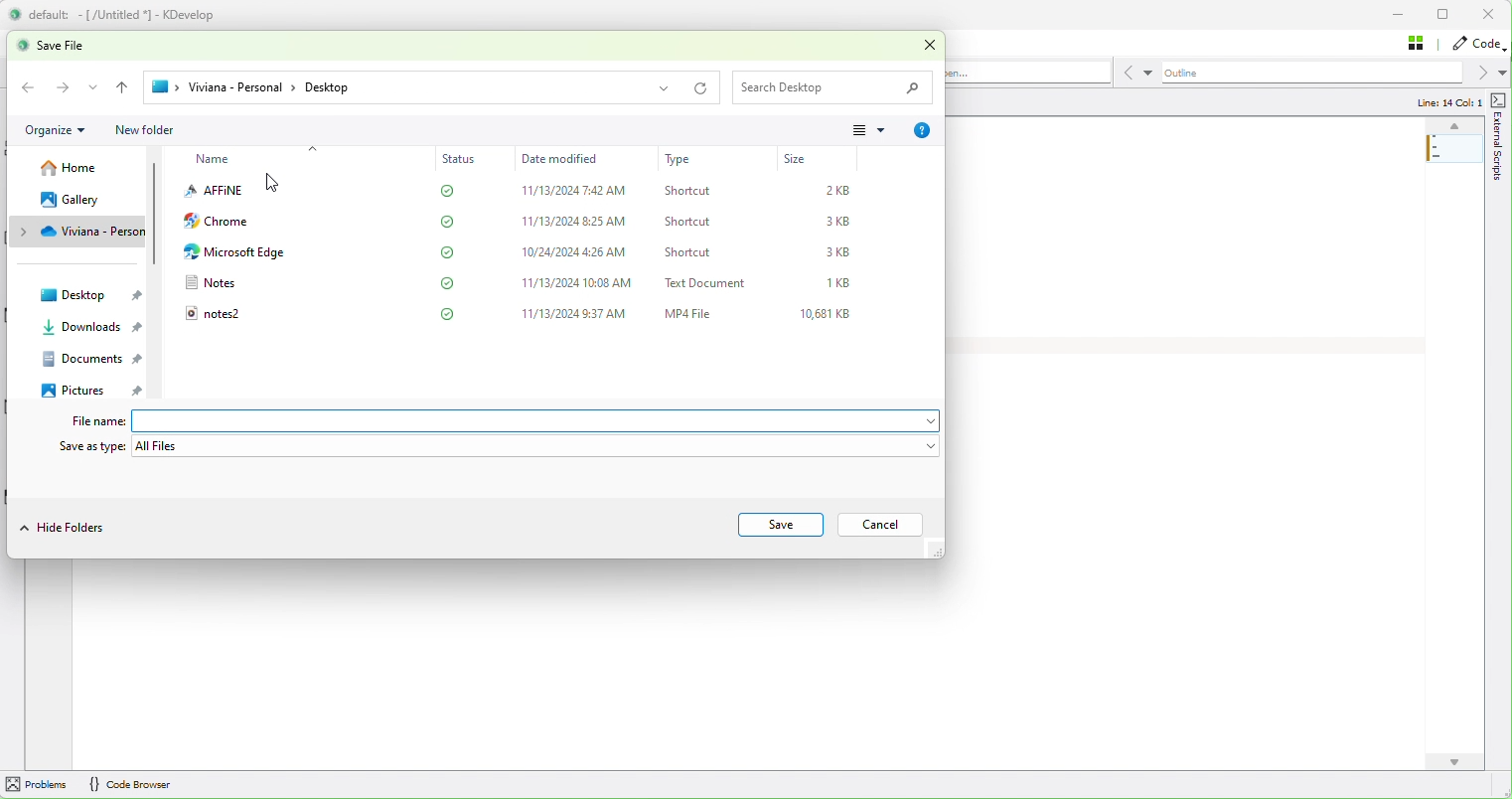 The width and height of the screenshot is (1512, 799). I want to click on Organize, so click(57, 129).